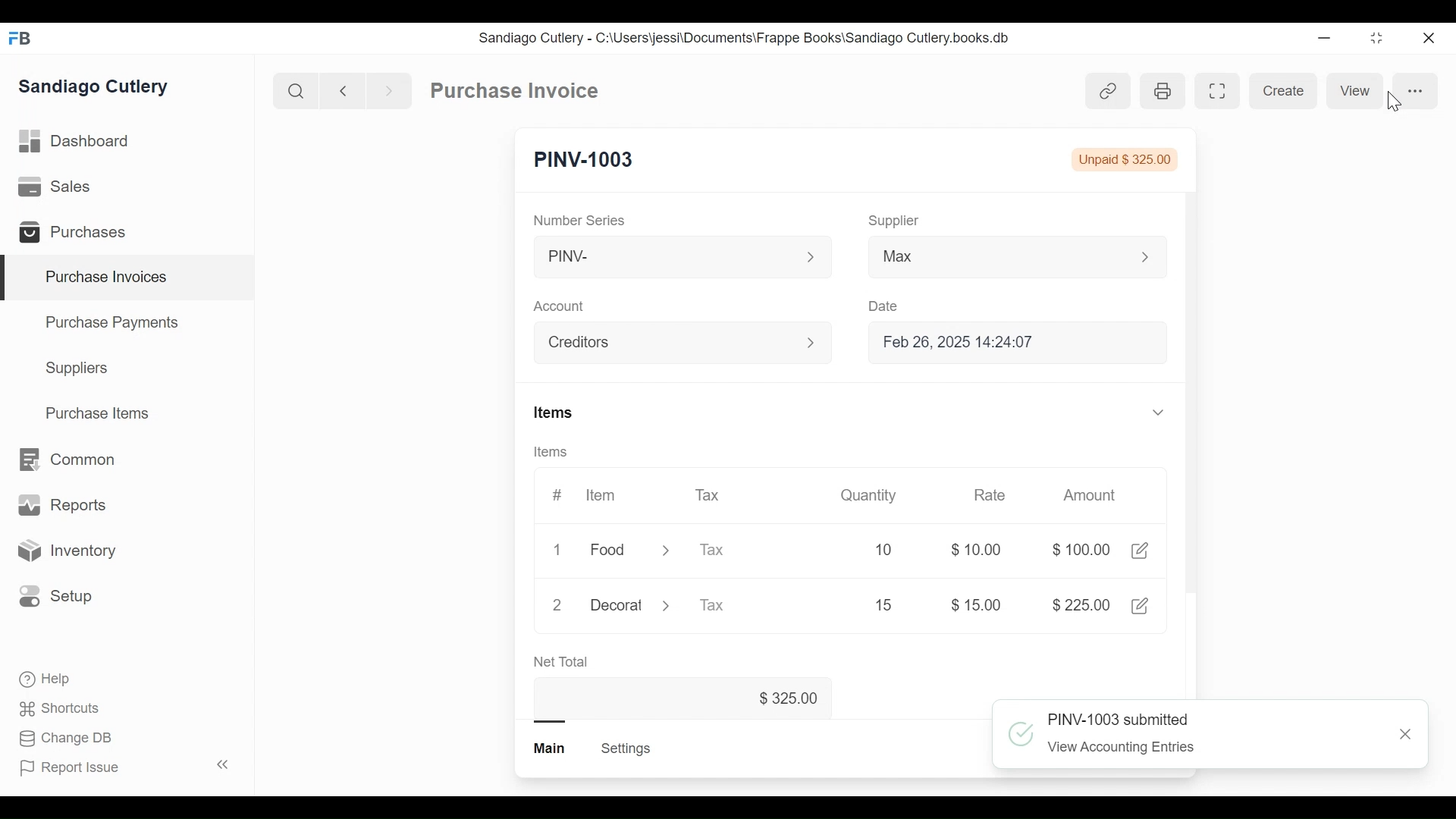  What do you see at coordinates (617, 604) in the screenshot?
I see `Decorat` at bounding box center [617, 604].